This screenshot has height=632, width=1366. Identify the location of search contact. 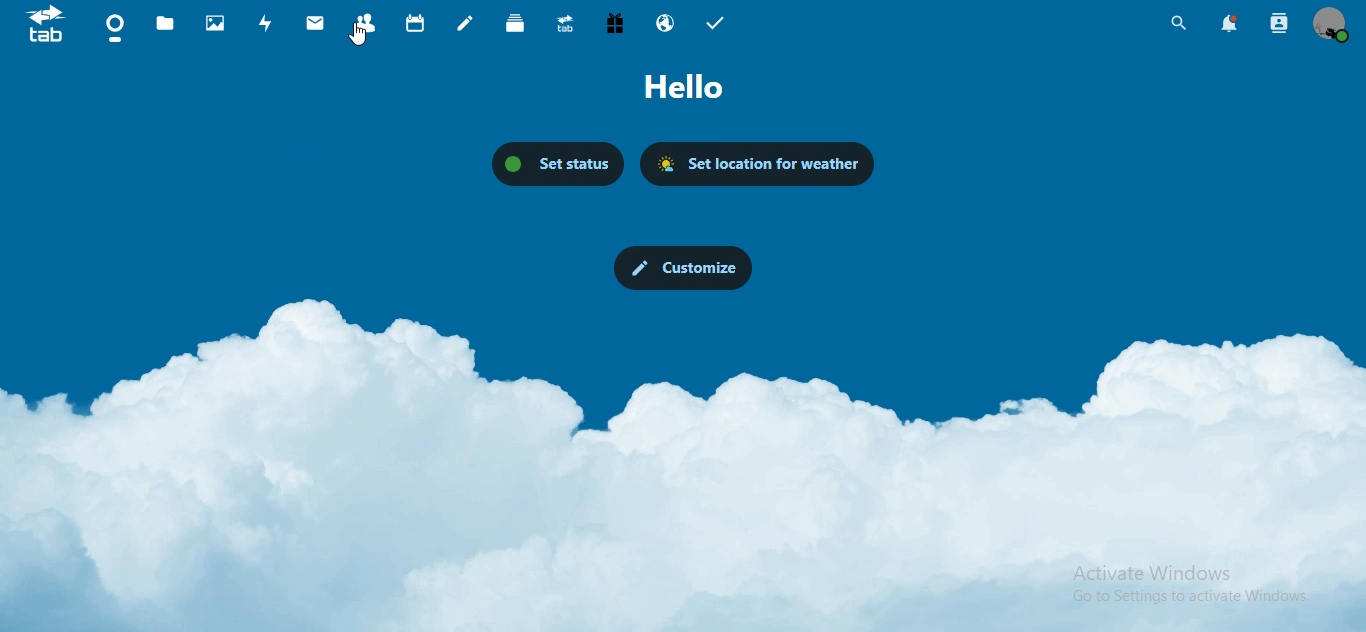
(1280, 24).